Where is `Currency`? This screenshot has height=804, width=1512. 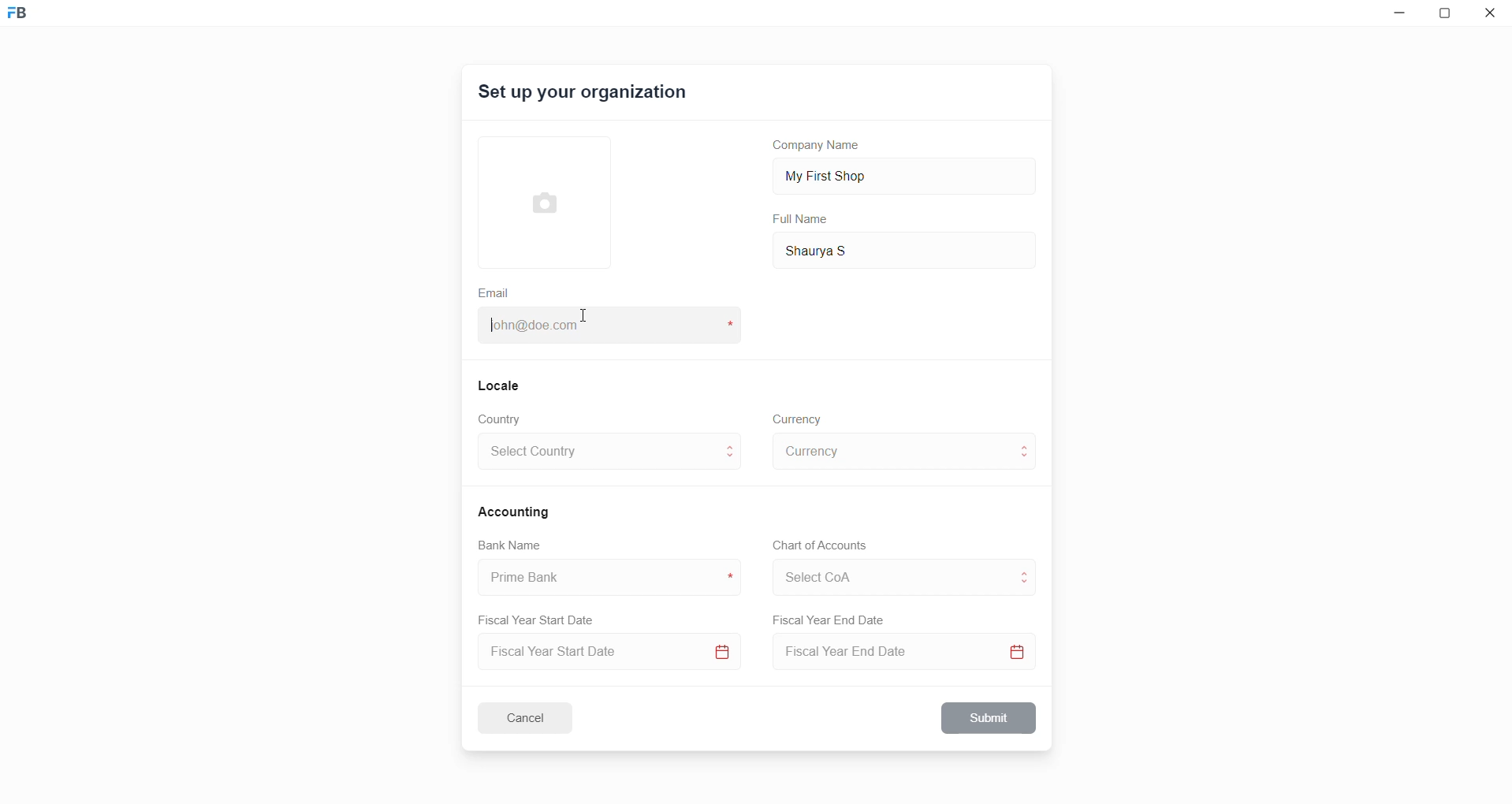 Currency is located at coordinates (799, 418).